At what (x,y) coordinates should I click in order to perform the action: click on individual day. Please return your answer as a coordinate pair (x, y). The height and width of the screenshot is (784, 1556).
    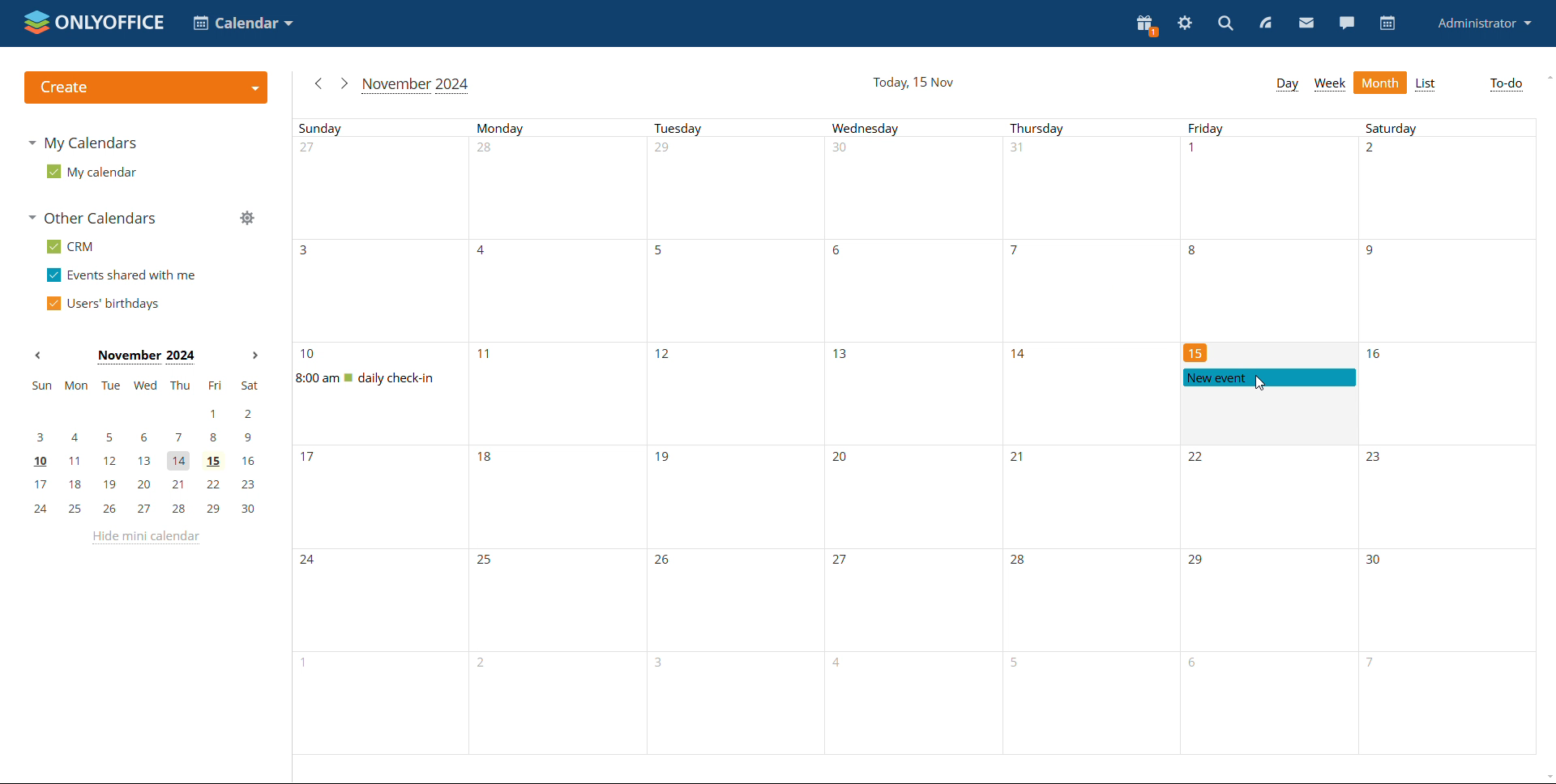
    Looking at the image, I should click on (1089, 128).